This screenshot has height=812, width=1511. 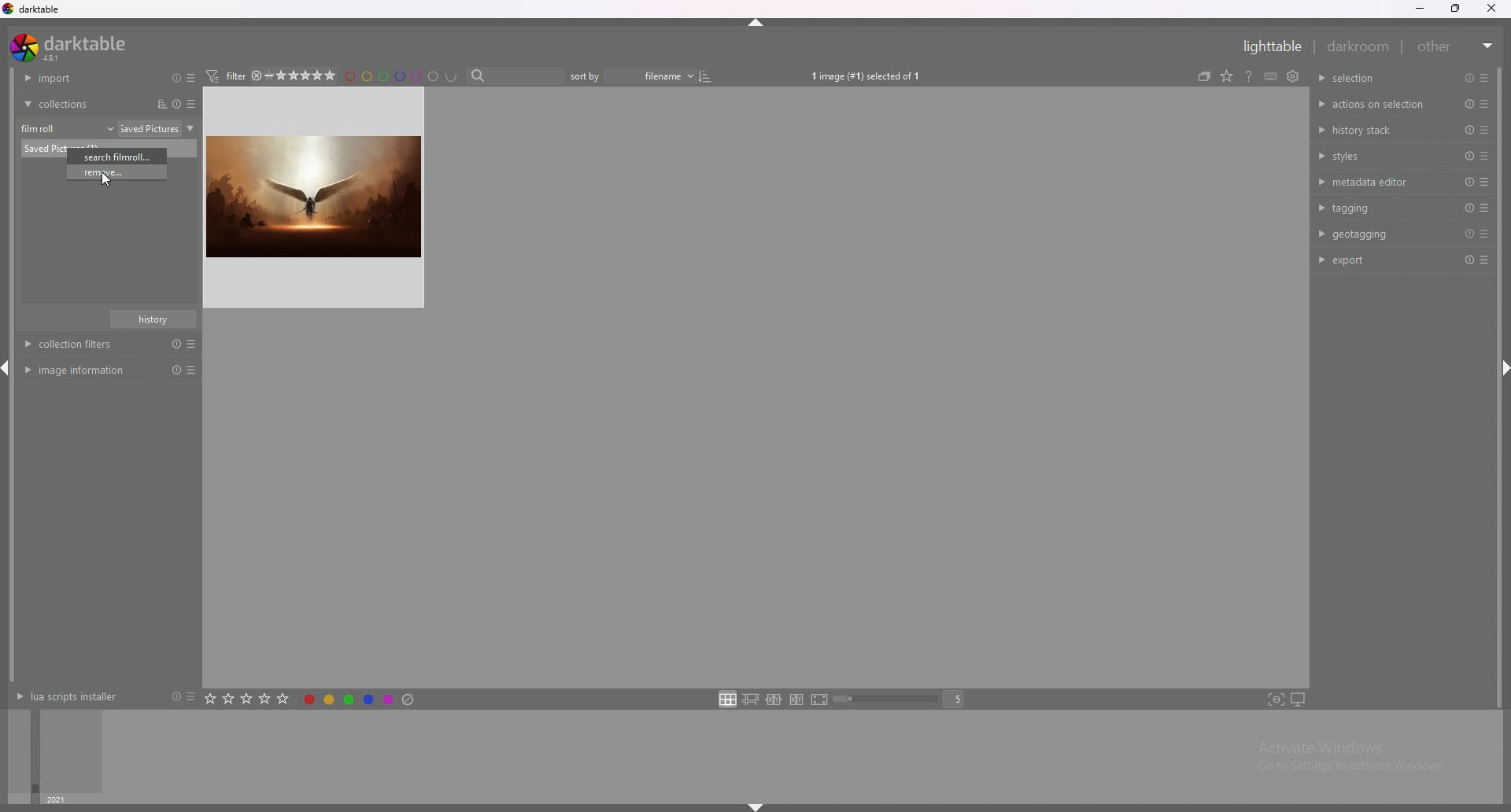 I want to click on presets, so click(x=194, y=78).